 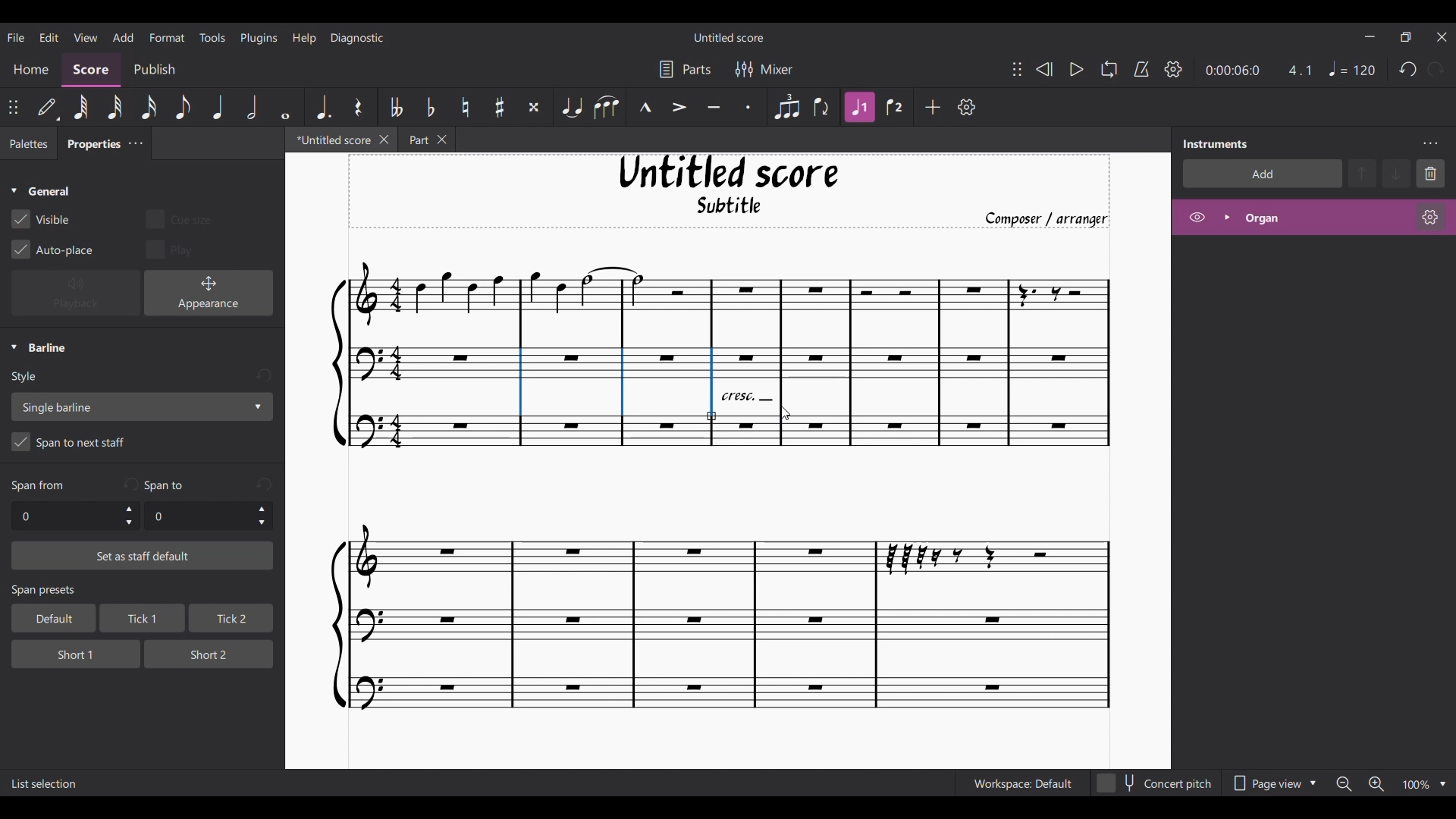 I want to click on Set as staff default, so click(x=143, y=556).